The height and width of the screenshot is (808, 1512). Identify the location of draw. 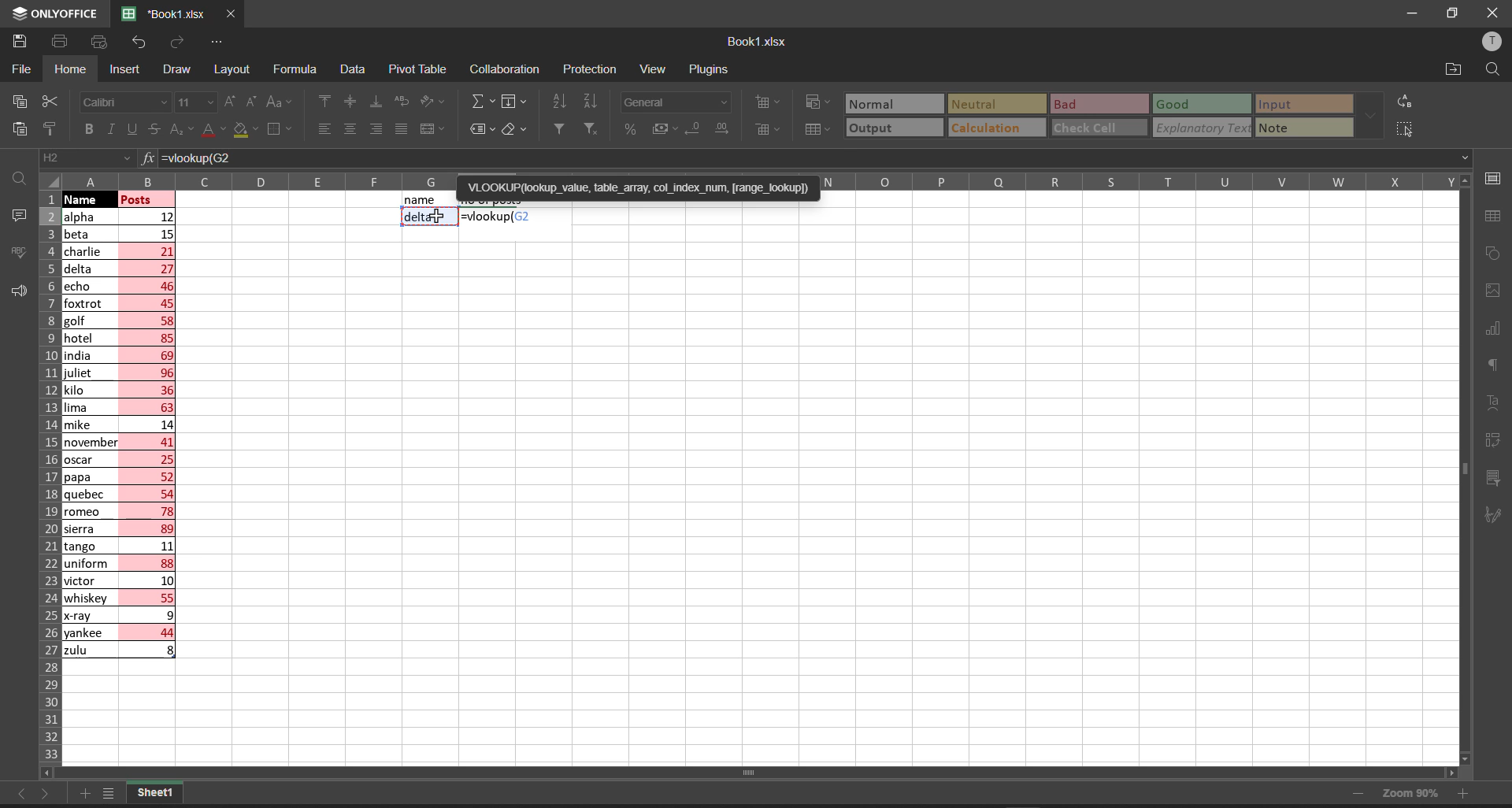
(174, 69).